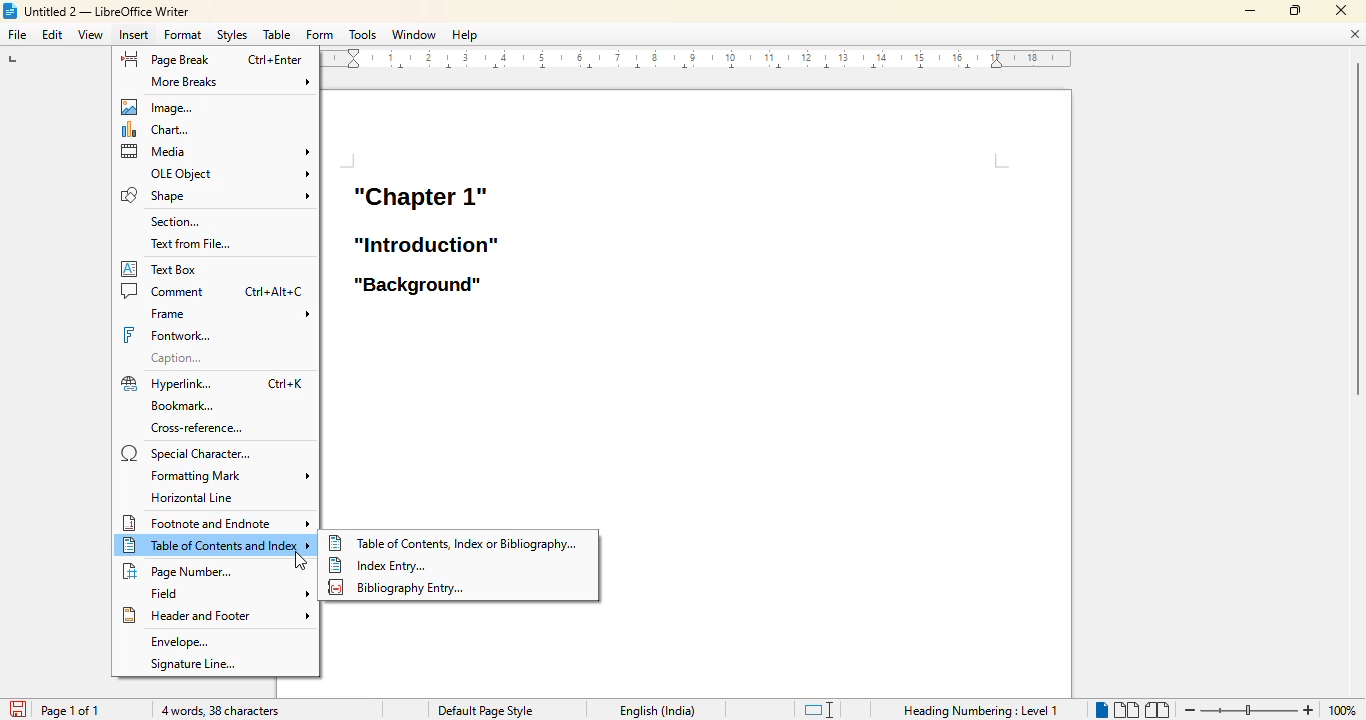 This screenshot has width=1366, height=720. What do you see at coordinates (419, 195) in the screenshot?
I see `heading 1` at bounding box center [419, 195].